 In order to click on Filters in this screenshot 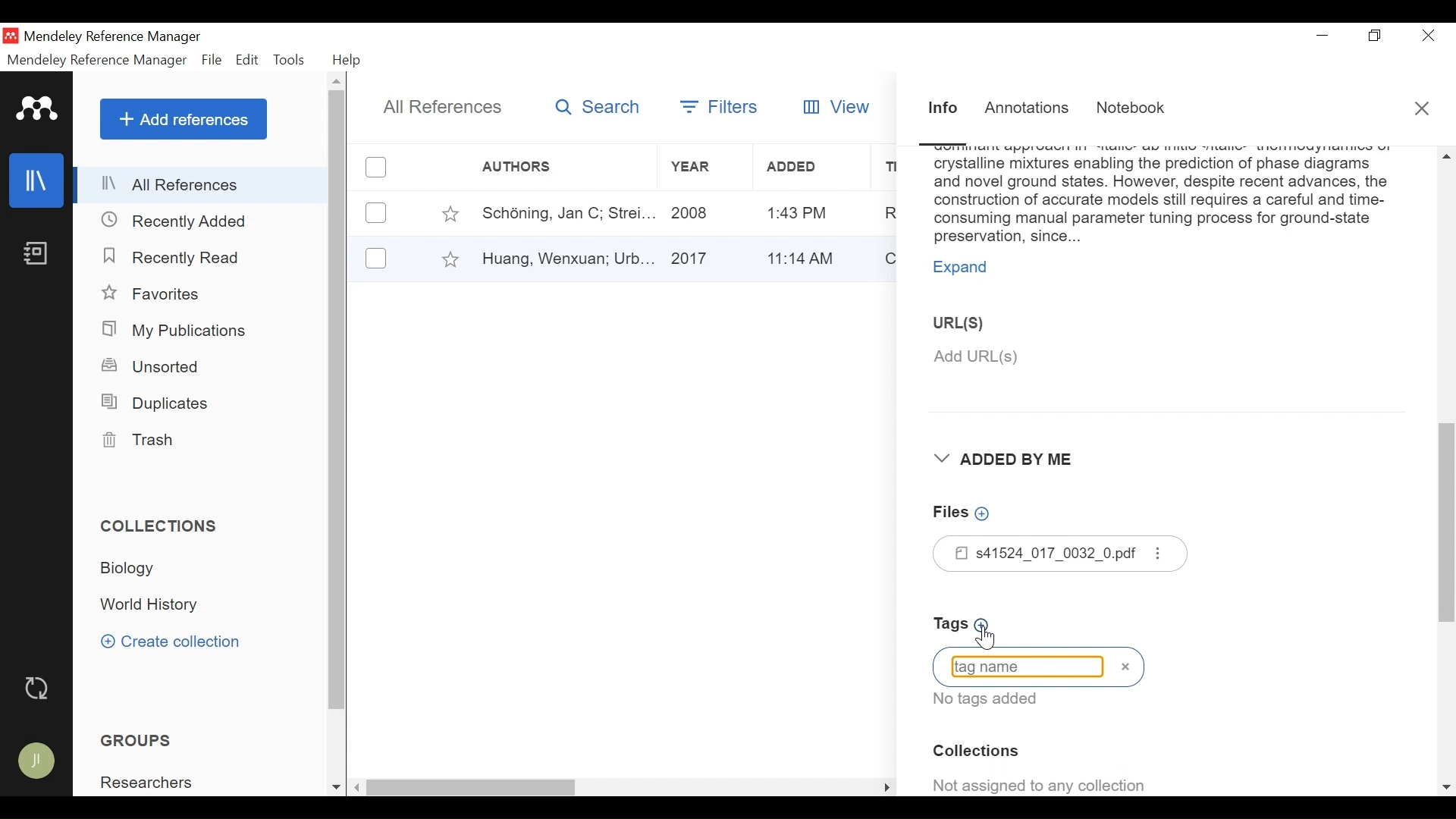, I will do `click(717, 106)`.